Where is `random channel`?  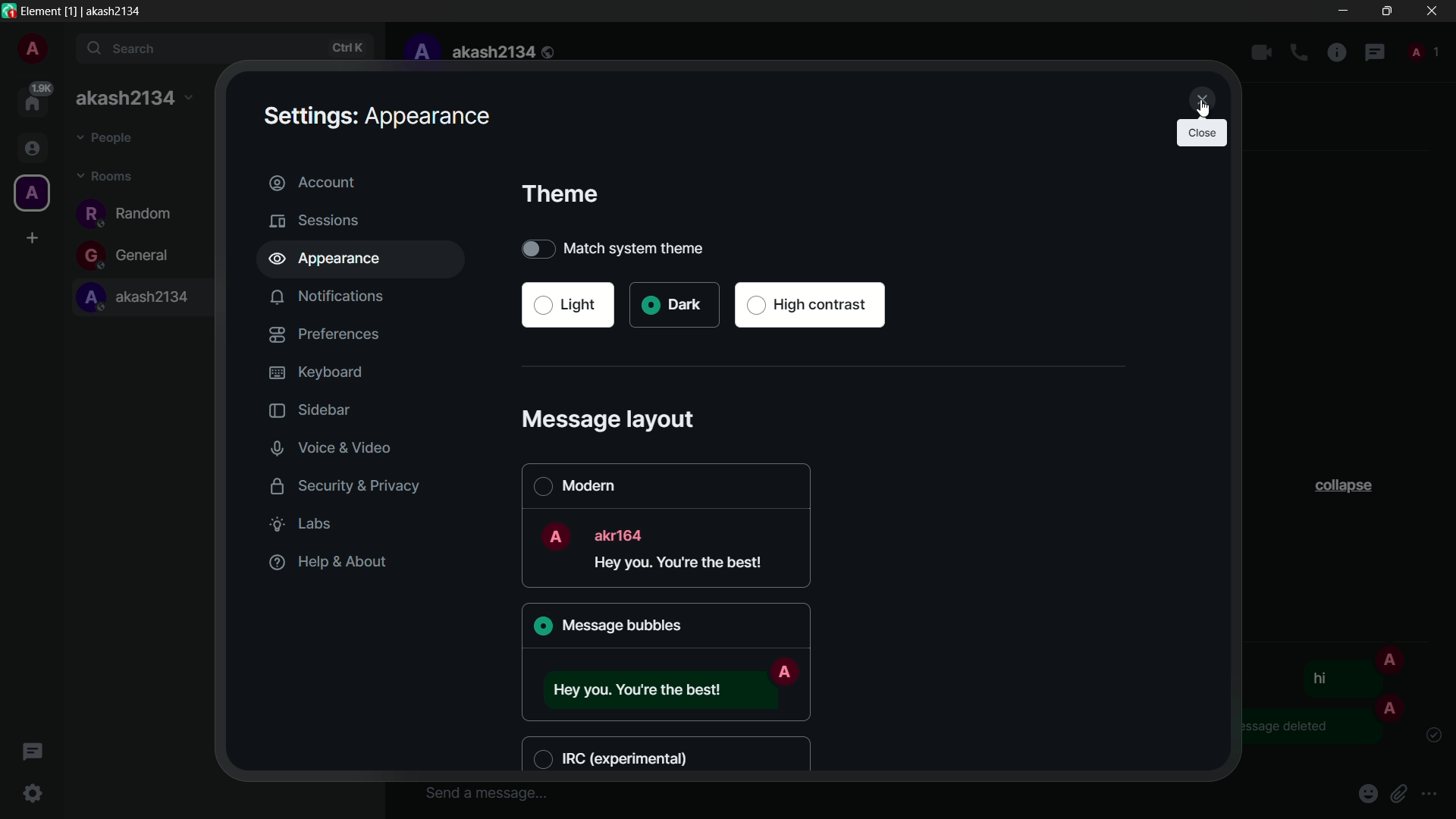 random channel is located at coordinates (129, 213).